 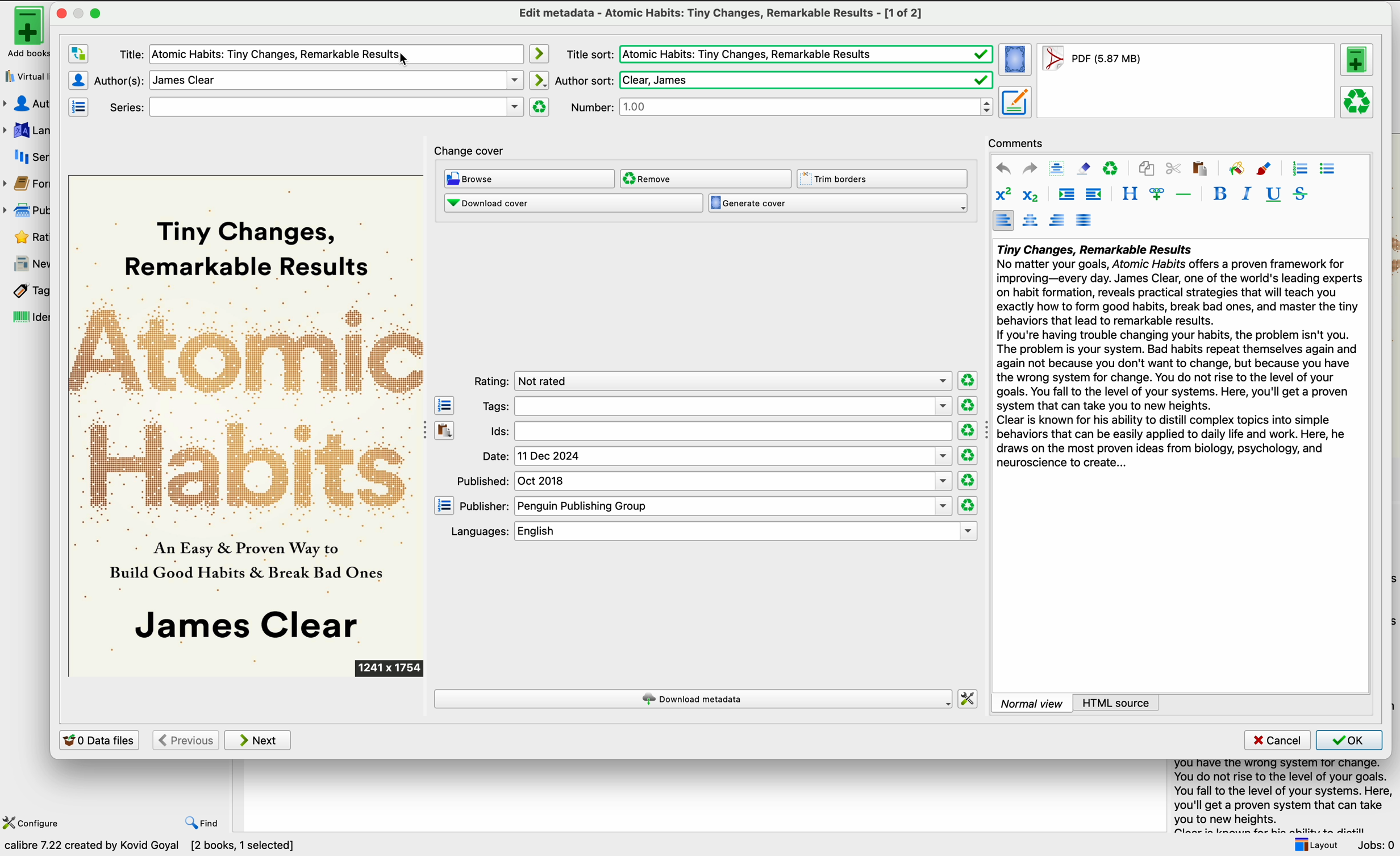 I want to click on cursor, so click(x=405, y=61).